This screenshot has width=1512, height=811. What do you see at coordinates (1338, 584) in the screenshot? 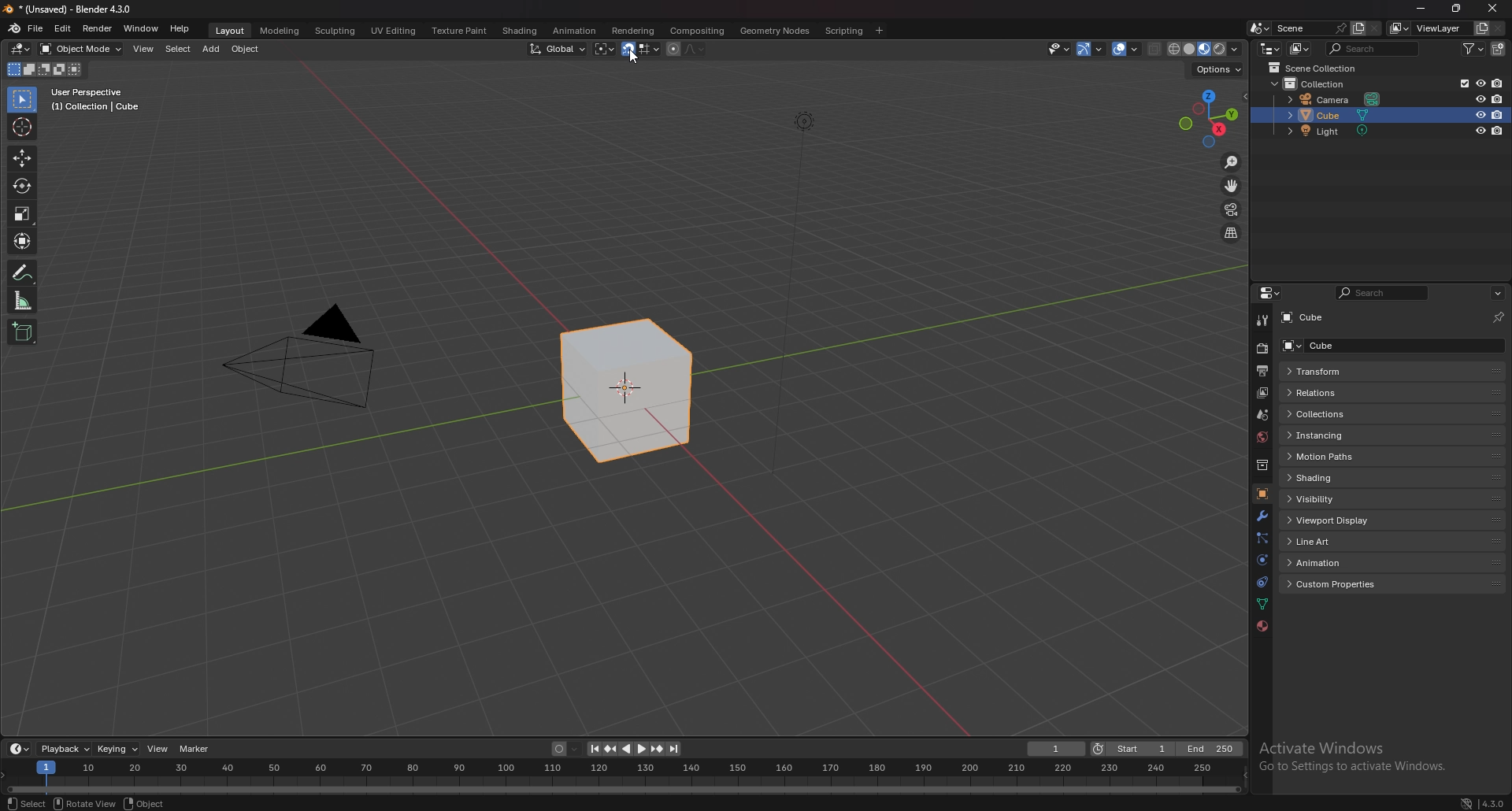
I see `custom properties` at bounding box center [1338, 584].